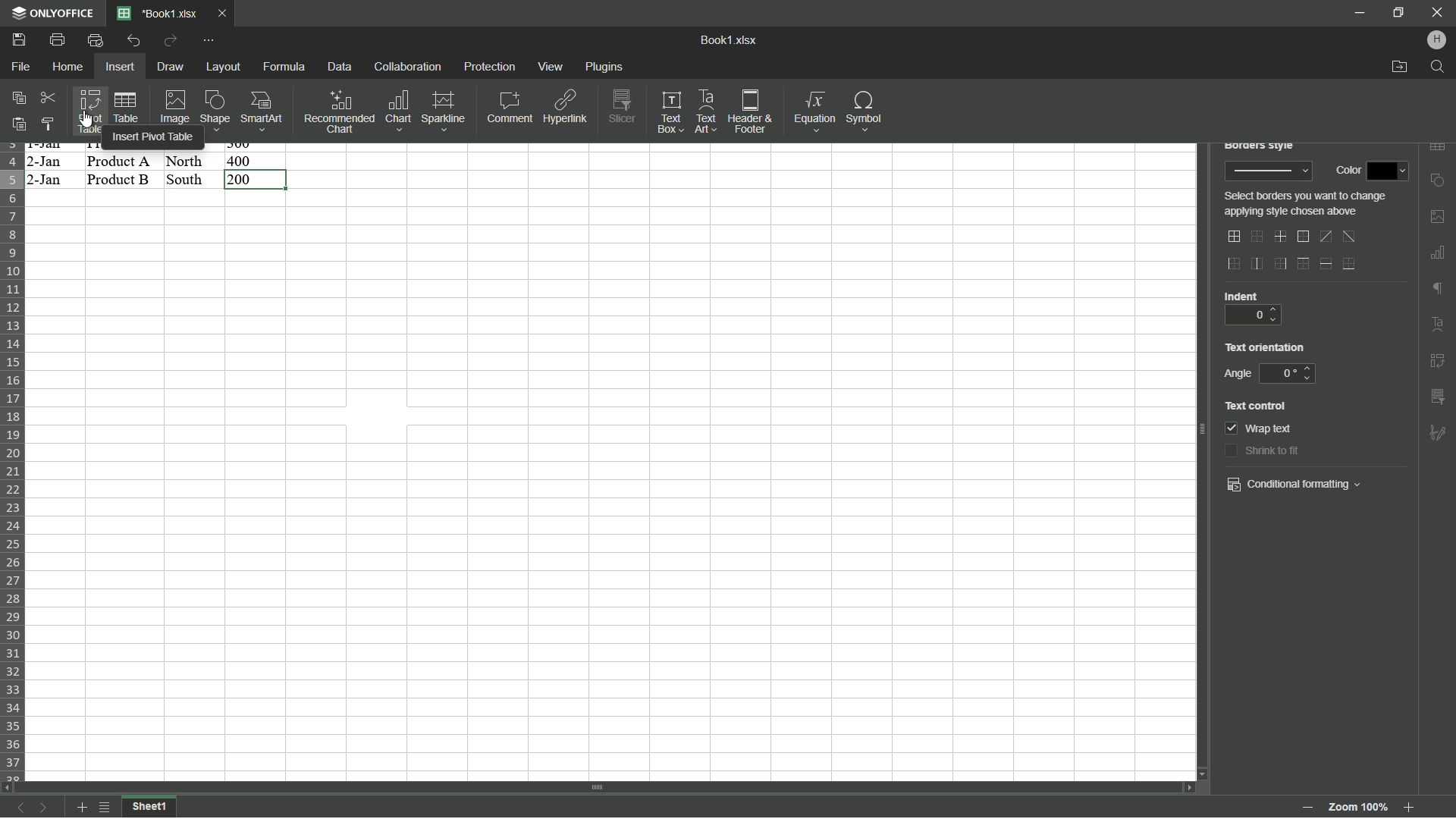 This screenshot has height=819, width=1456. I want to click on list of sheets, so click(106, 806).